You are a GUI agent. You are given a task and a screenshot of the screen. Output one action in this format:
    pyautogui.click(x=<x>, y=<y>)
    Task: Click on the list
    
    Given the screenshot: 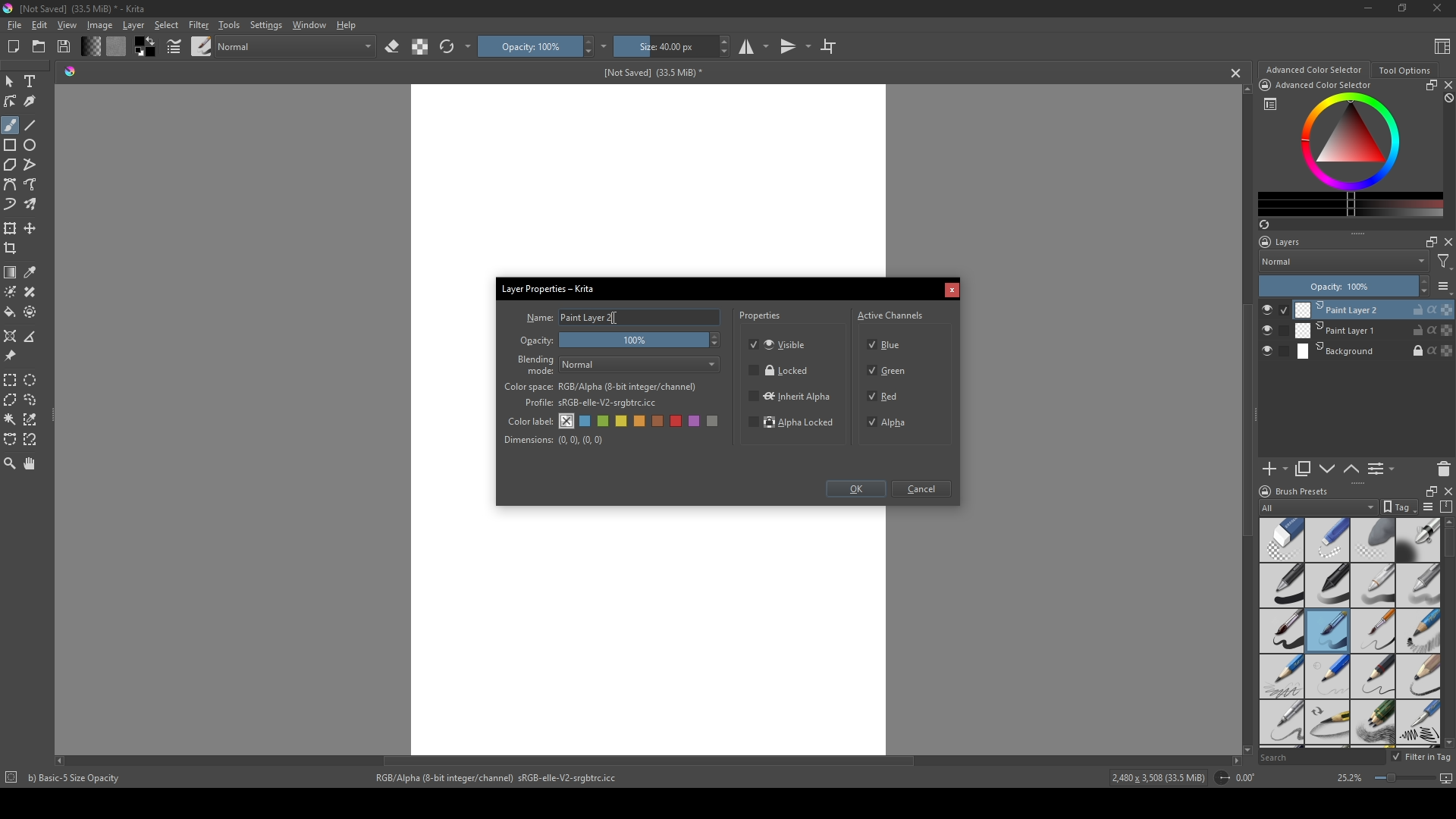 What is the action you would take?
    pyautogui.click(x=1444, y=286)
    